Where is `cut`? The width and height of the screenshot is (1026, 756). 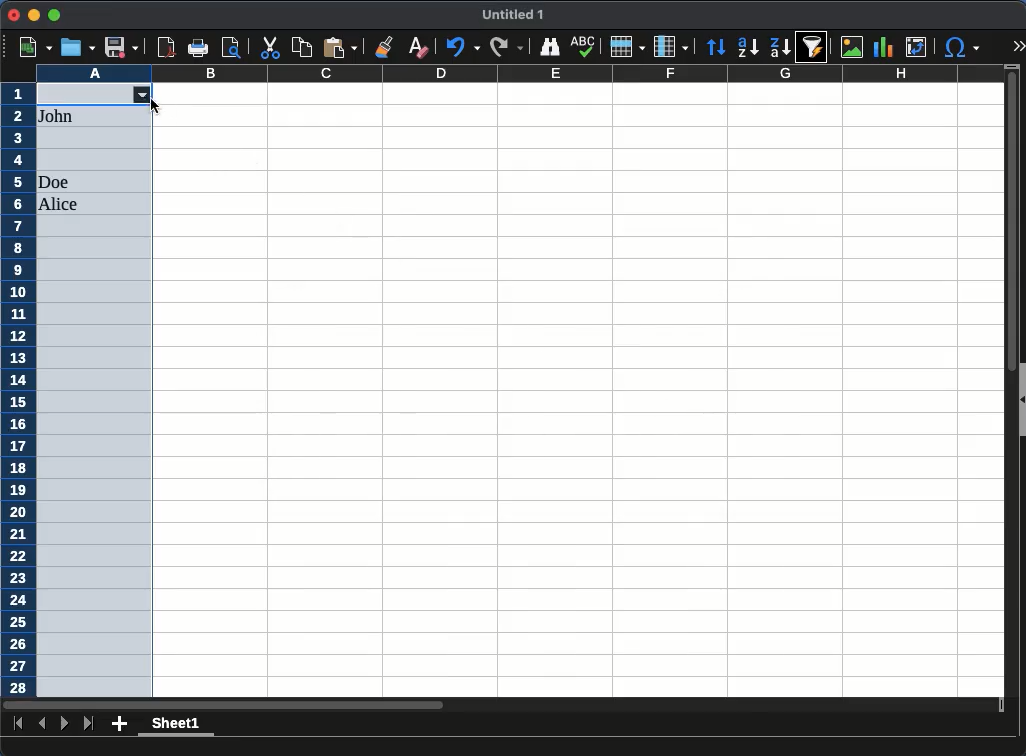 cut is located at coordinates (269, 47).